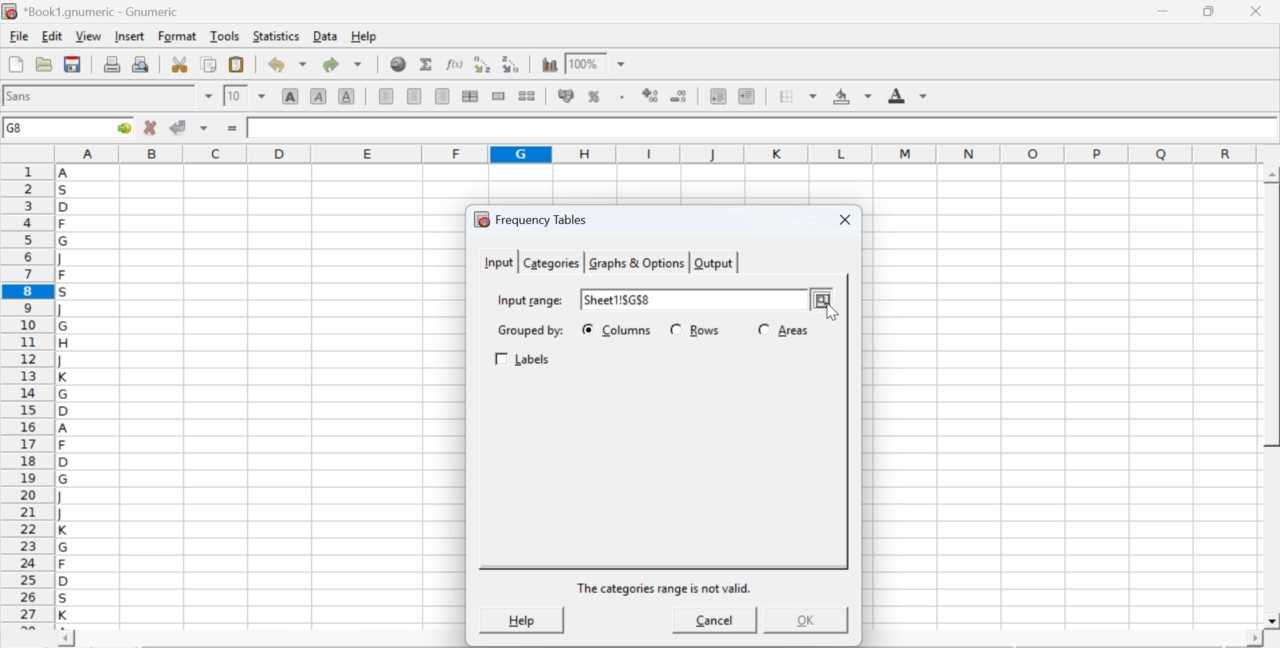 This screenshot has width=1280, height=648. What do you see at coordinates (822, 301) in the screenshot?
I see `more` at bounding box center [822, 301].